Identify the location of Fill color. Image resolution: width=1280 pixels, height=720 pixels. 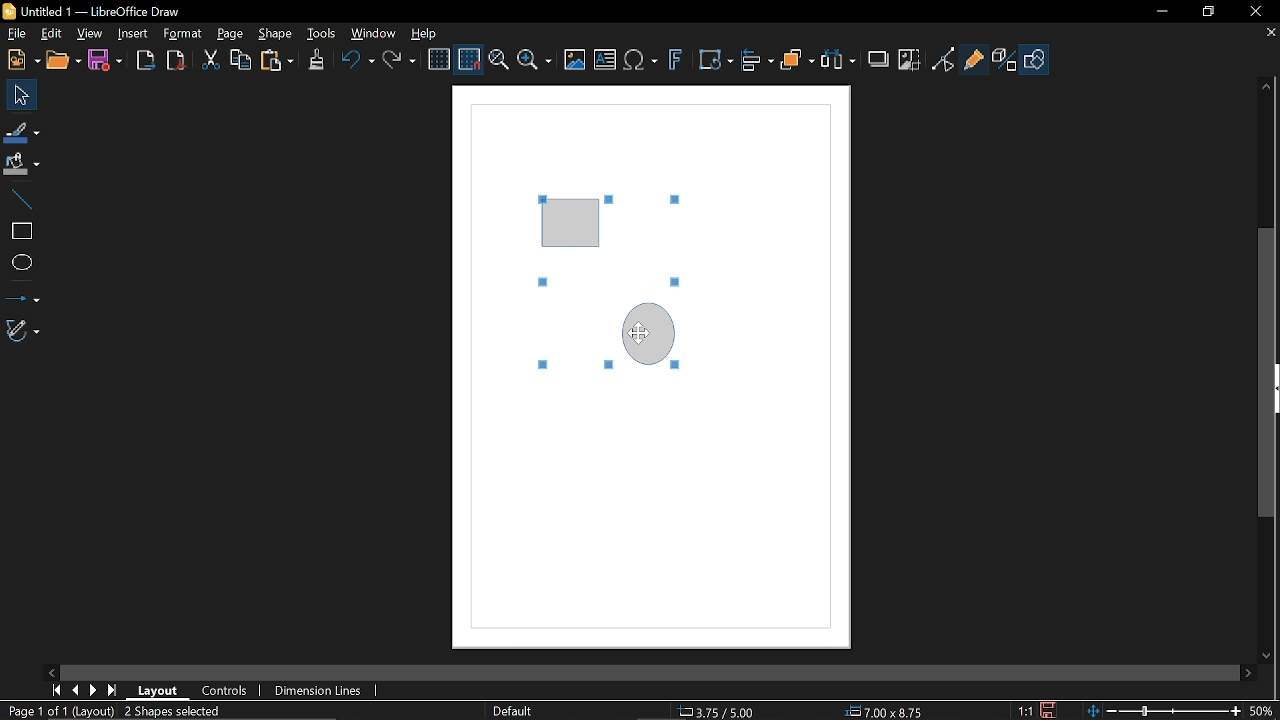
(20, 162).